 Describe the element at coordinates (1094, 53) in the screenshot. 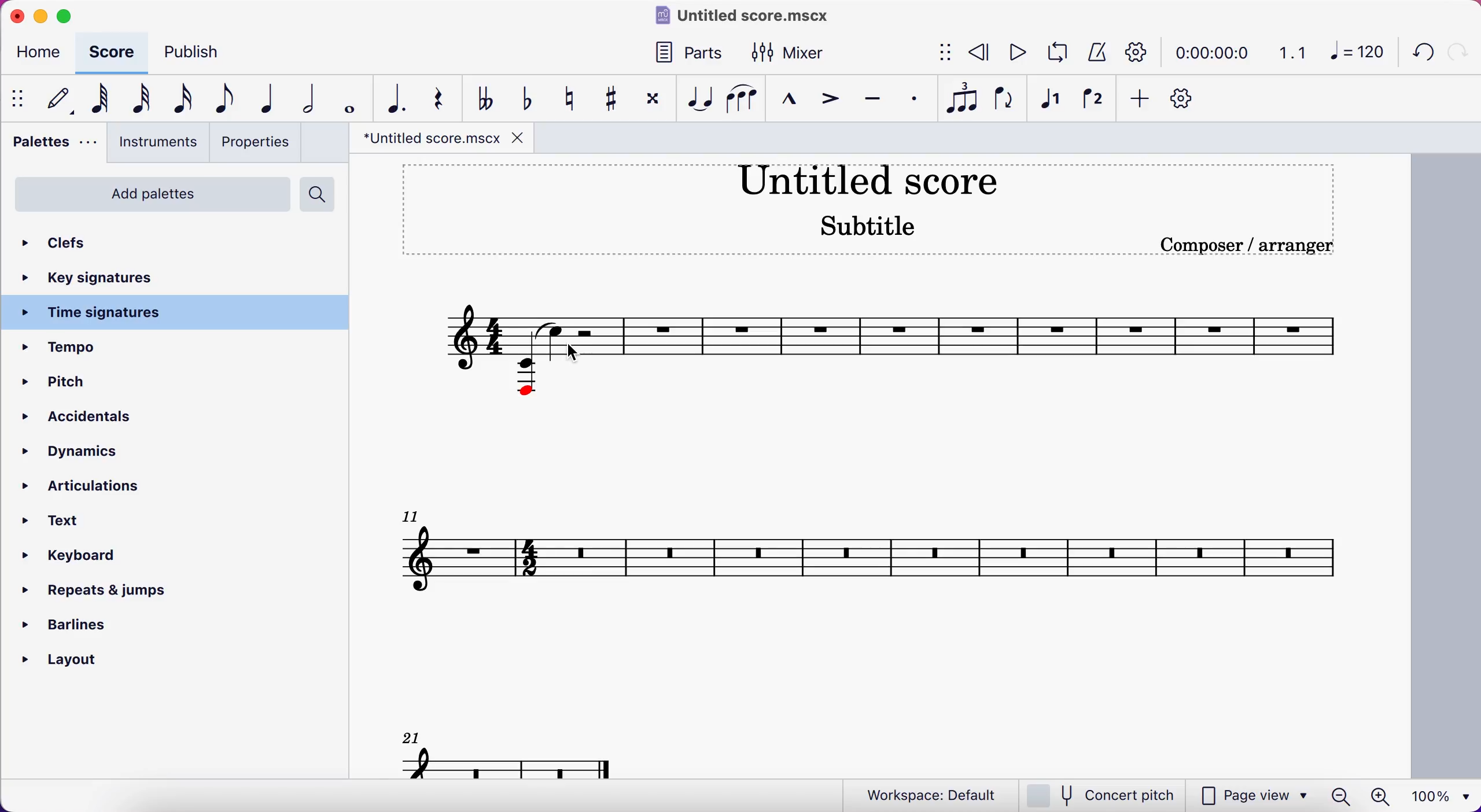

I see `metronome` at that location.